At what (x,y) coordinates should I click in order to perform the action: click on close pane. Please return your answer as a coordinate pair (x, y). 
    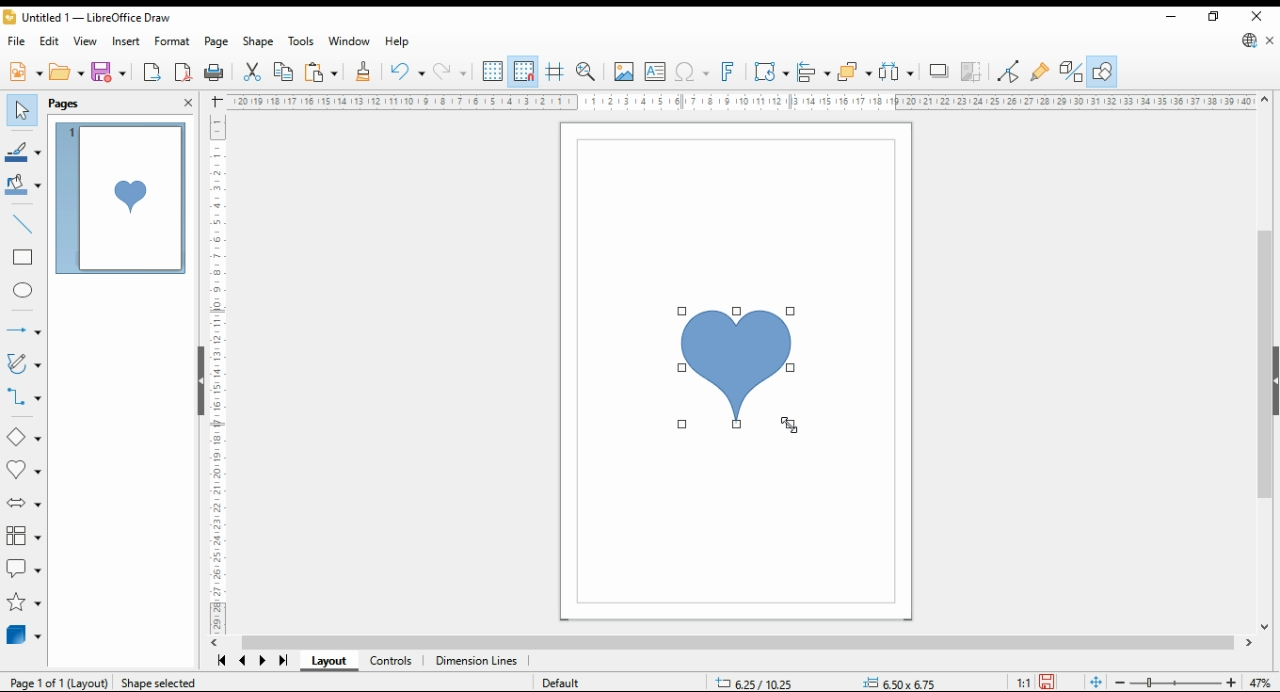
    Looking at the image, I should click on (189, 103).